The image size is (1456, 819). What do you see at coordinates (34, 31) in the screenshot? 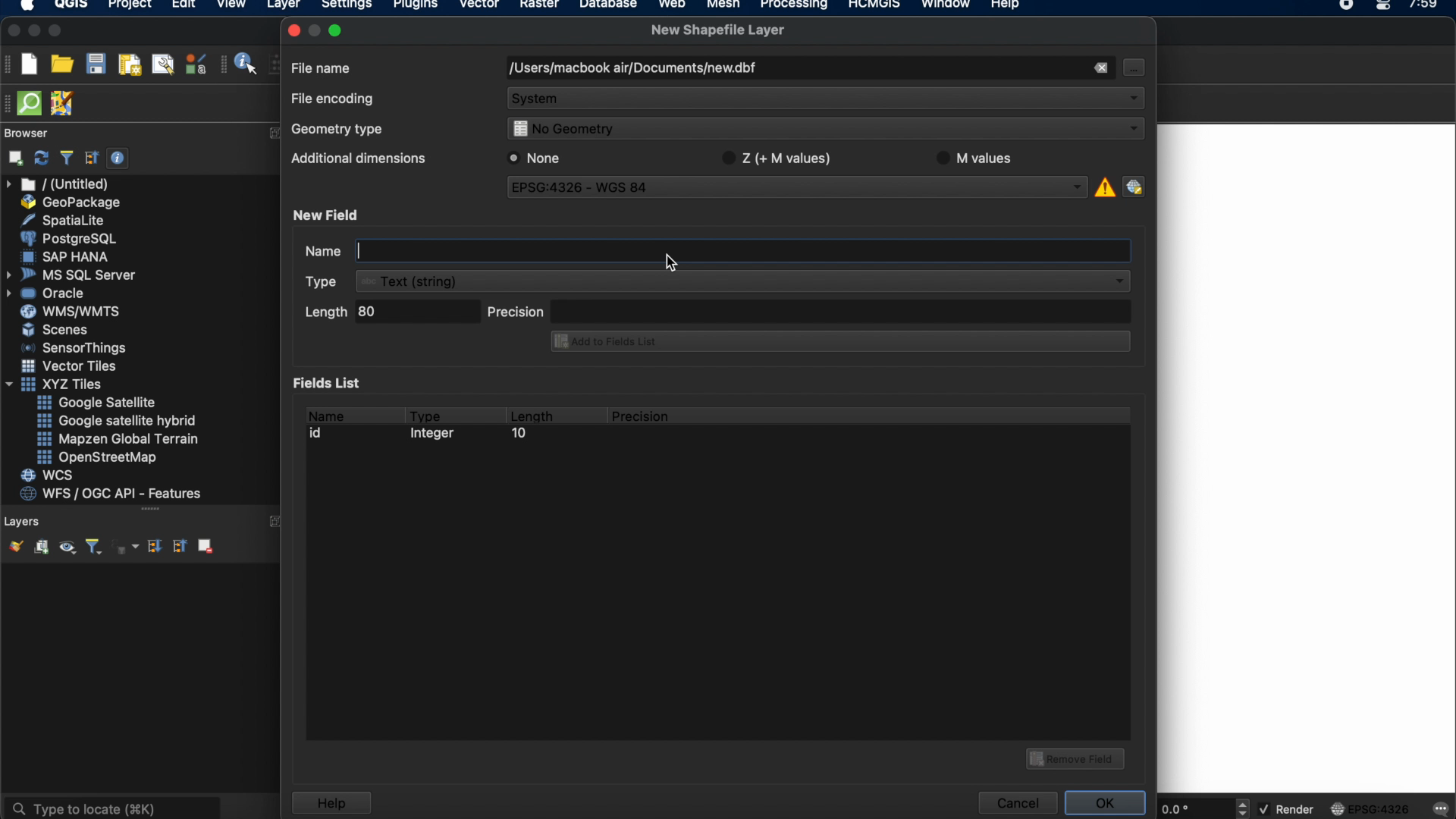
I see `minimize` at bounding box center [34, 31].